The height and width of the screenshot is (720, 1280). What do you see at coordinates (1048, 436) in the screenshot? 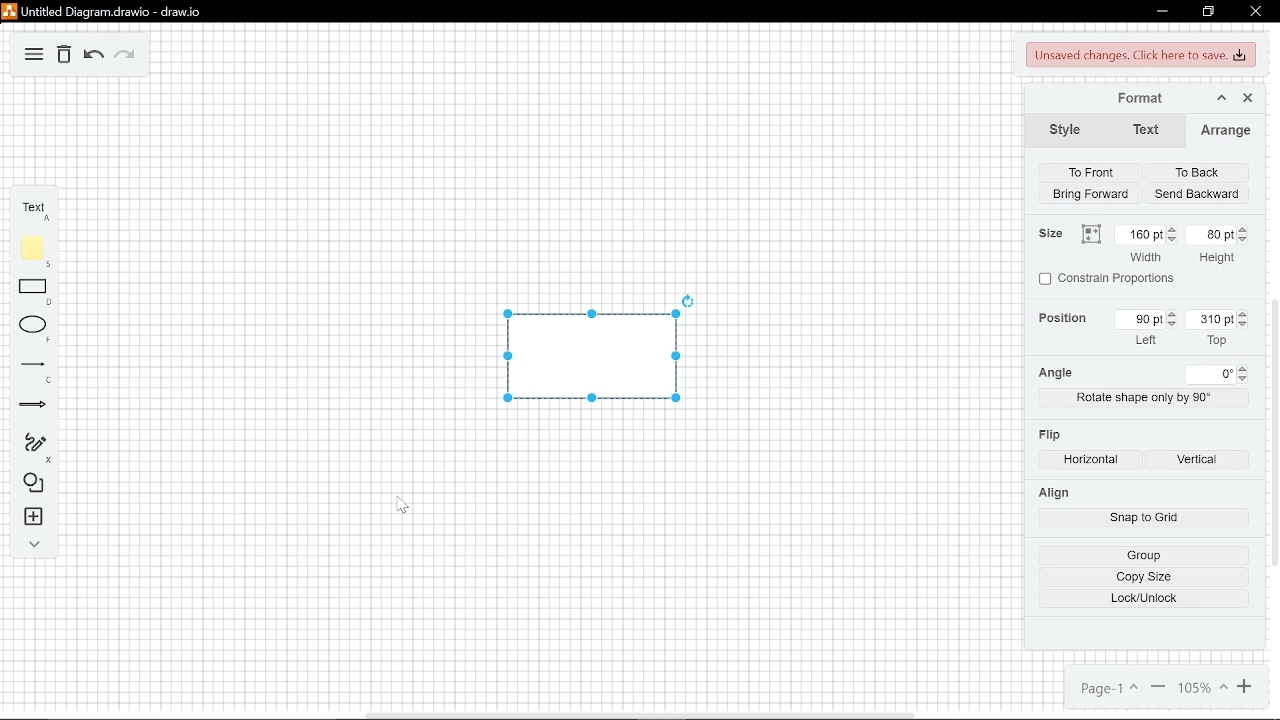
I see `flip` at bounding box center [1048, 436].